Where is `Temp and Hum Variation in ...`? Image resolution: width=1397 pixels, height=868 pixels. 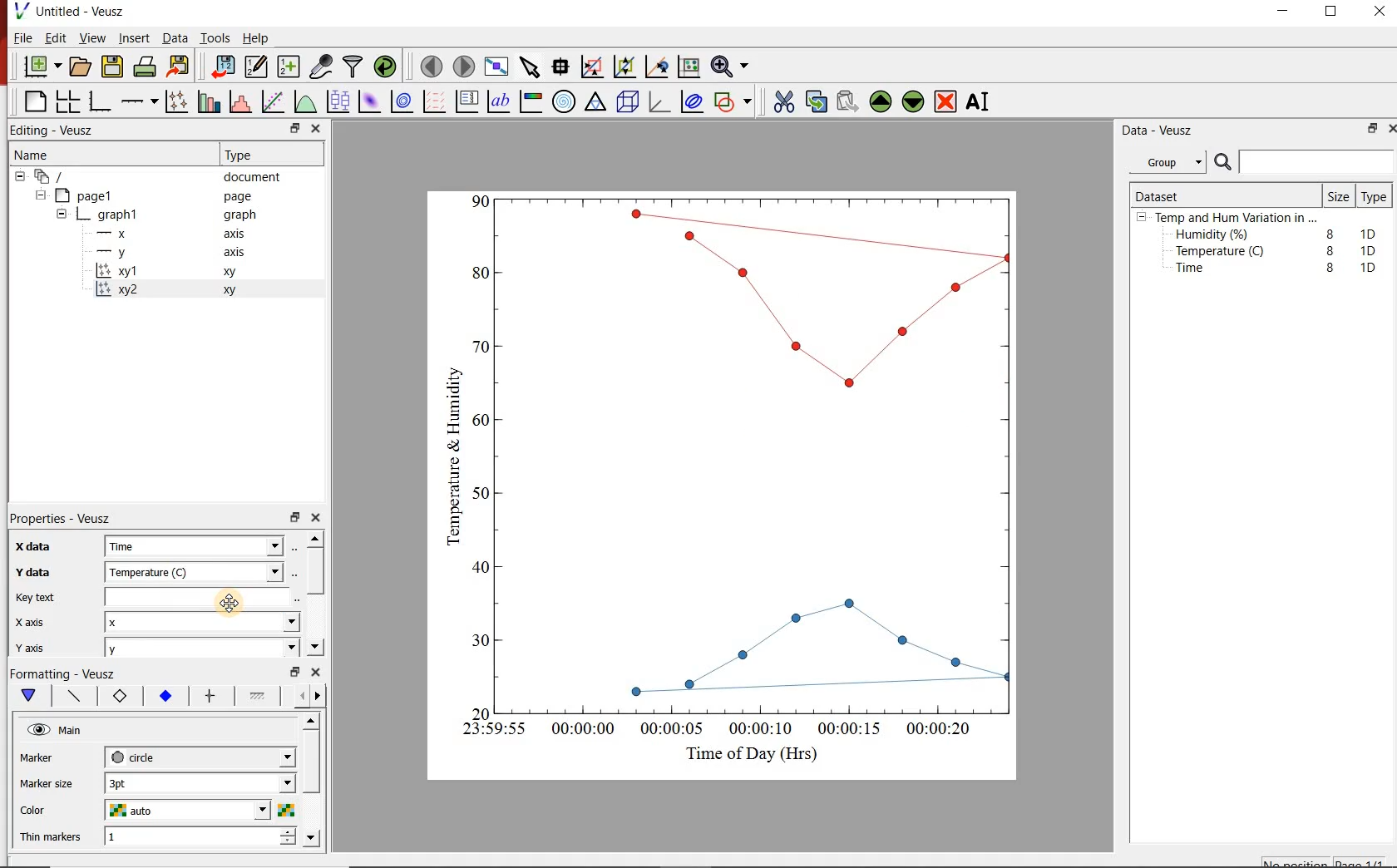 Temp and Hum Variation in ... is located at coordinates (1236, 218).